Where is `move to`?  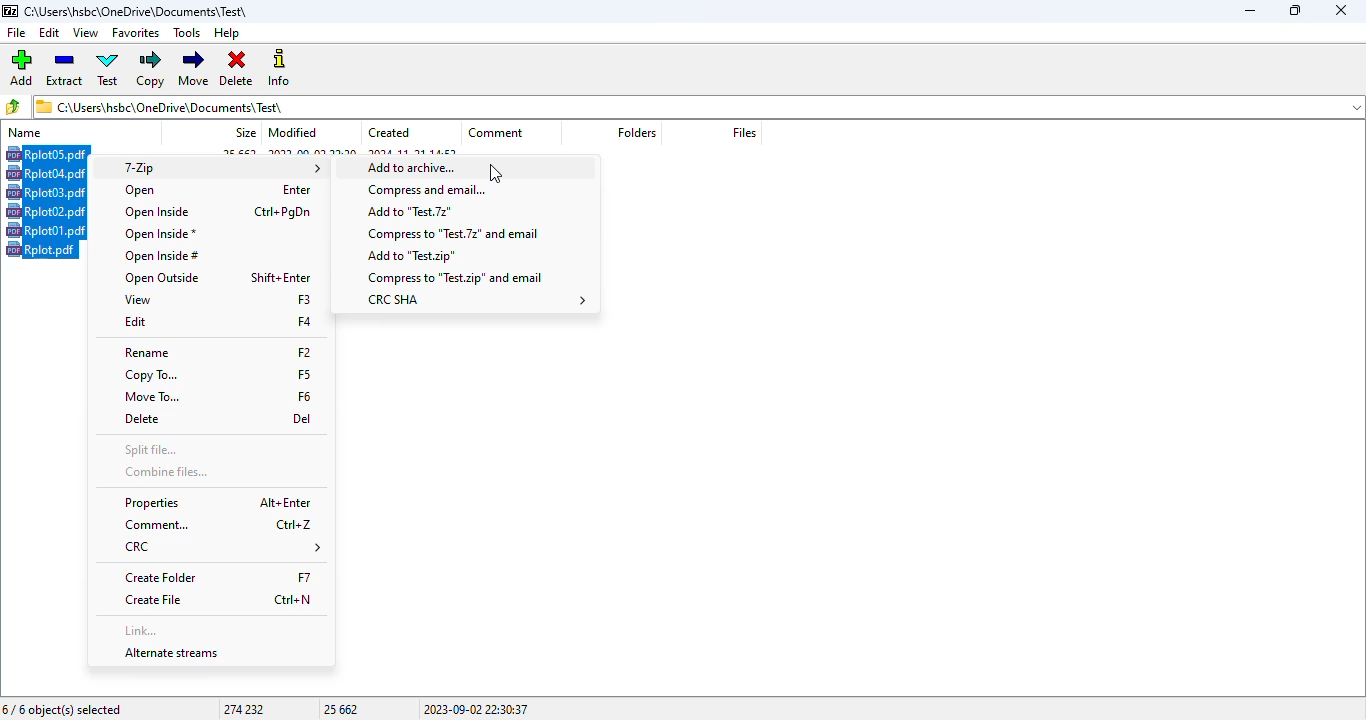 move to is located at coordinates (217, 398).